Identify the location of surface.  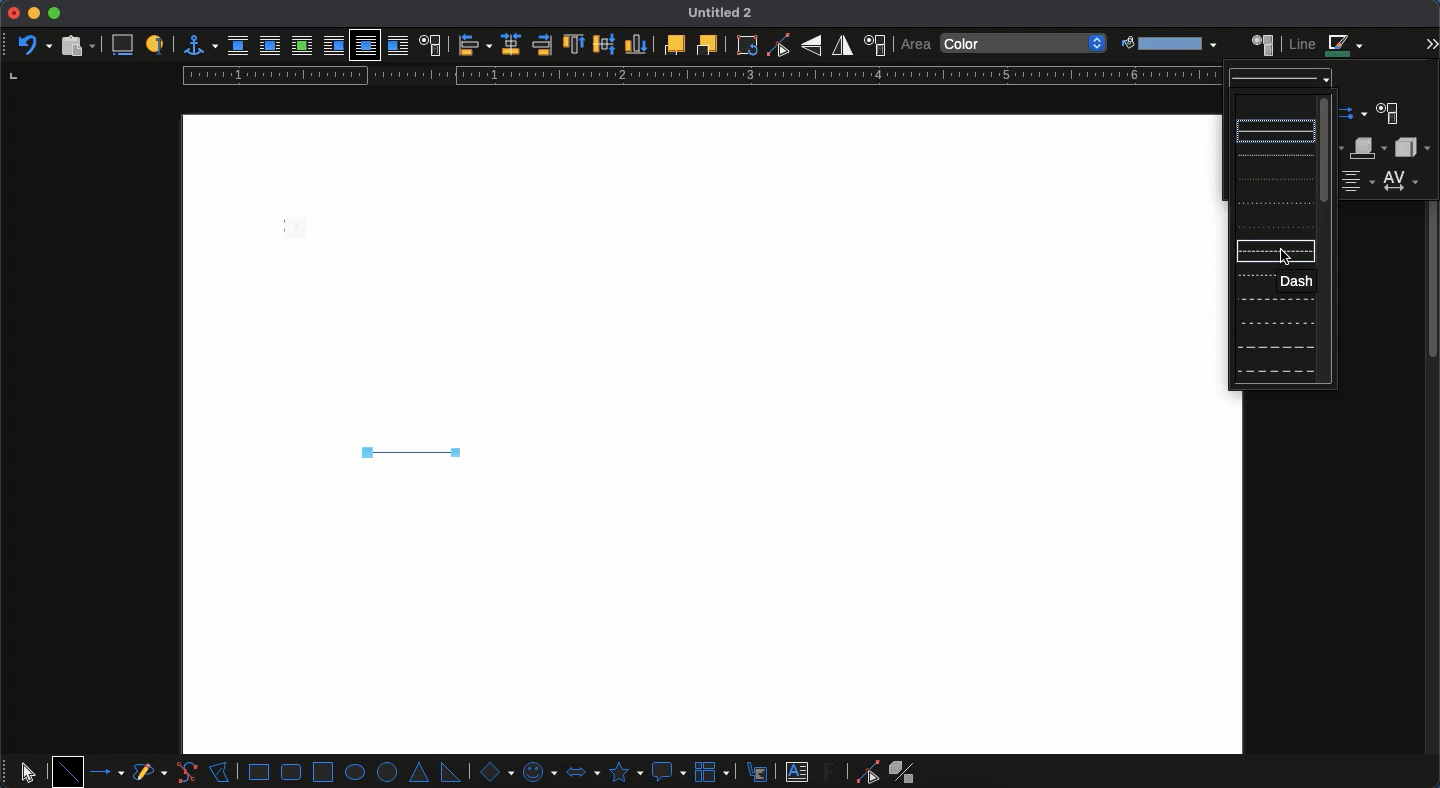
(1411, 147).